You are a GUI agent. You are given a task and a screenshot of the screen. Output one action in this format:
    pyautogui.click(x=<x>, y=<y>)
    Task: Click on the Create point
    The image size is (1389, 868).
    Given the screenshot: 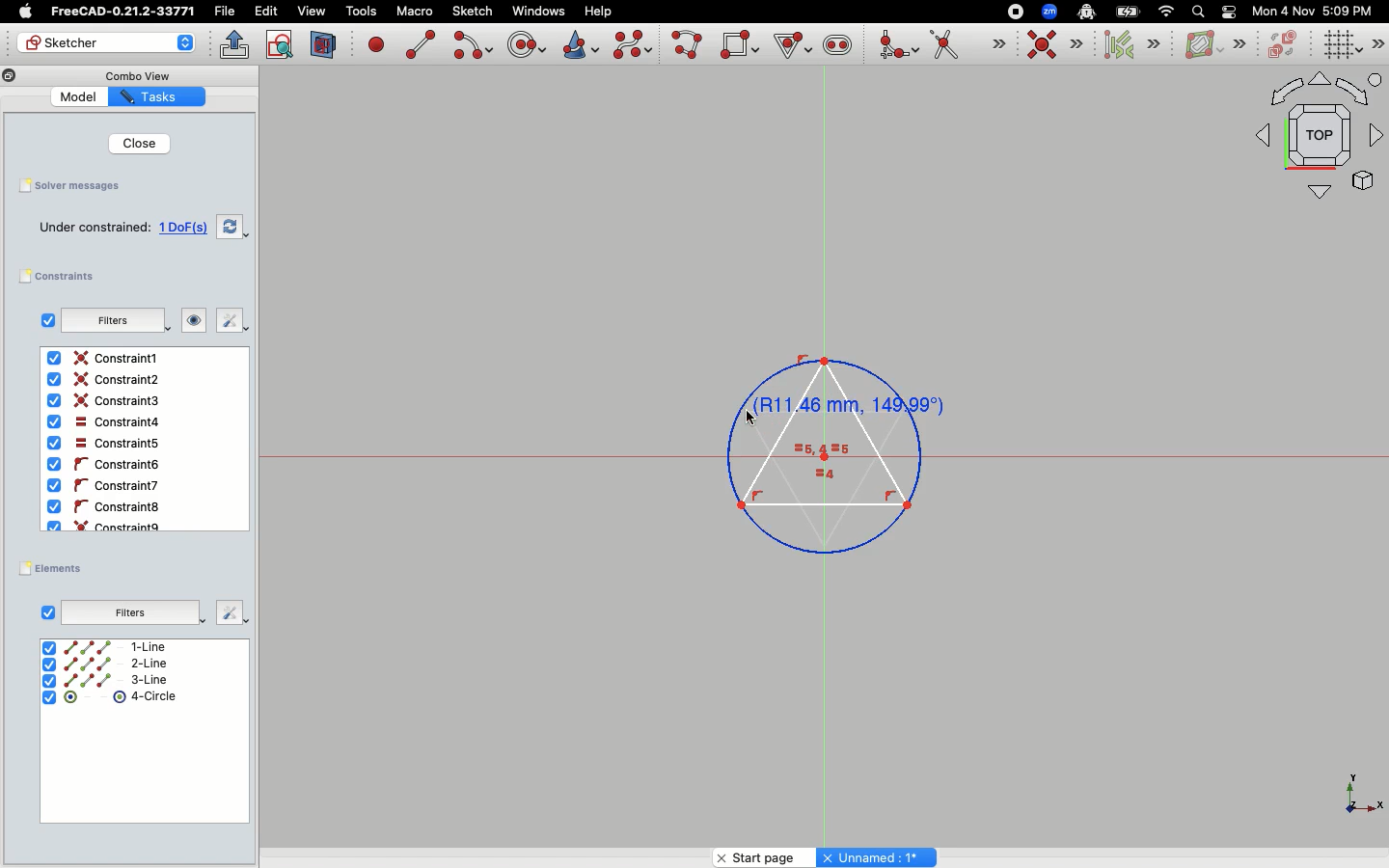 What is the action you would take?
    pyautogui.click(x=377, y=43)
    